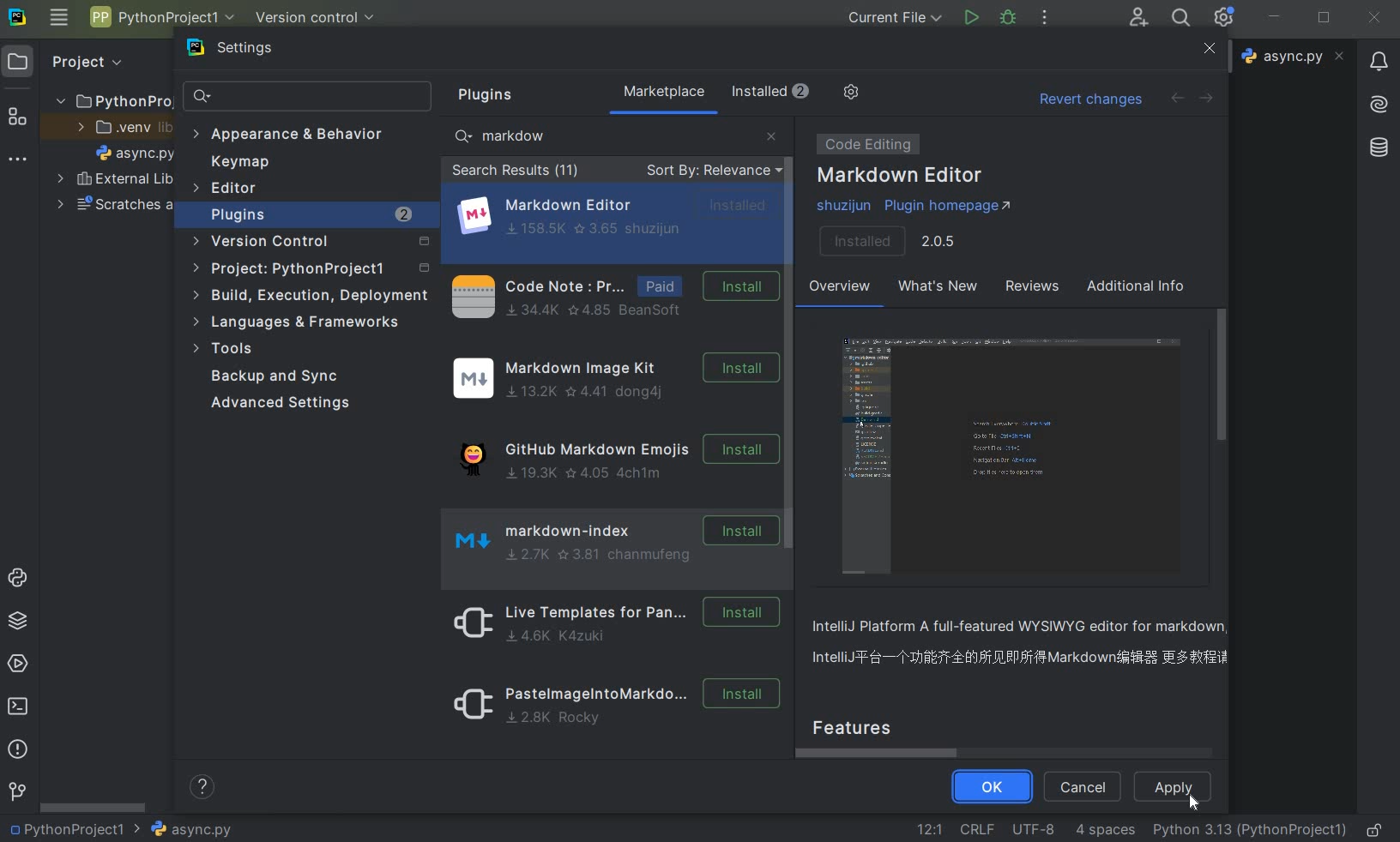 The image size is (1400, 842). What do you see at coordinates (316, 18) in the screenshot?
I see `version control` at bounding box center [316, 18].